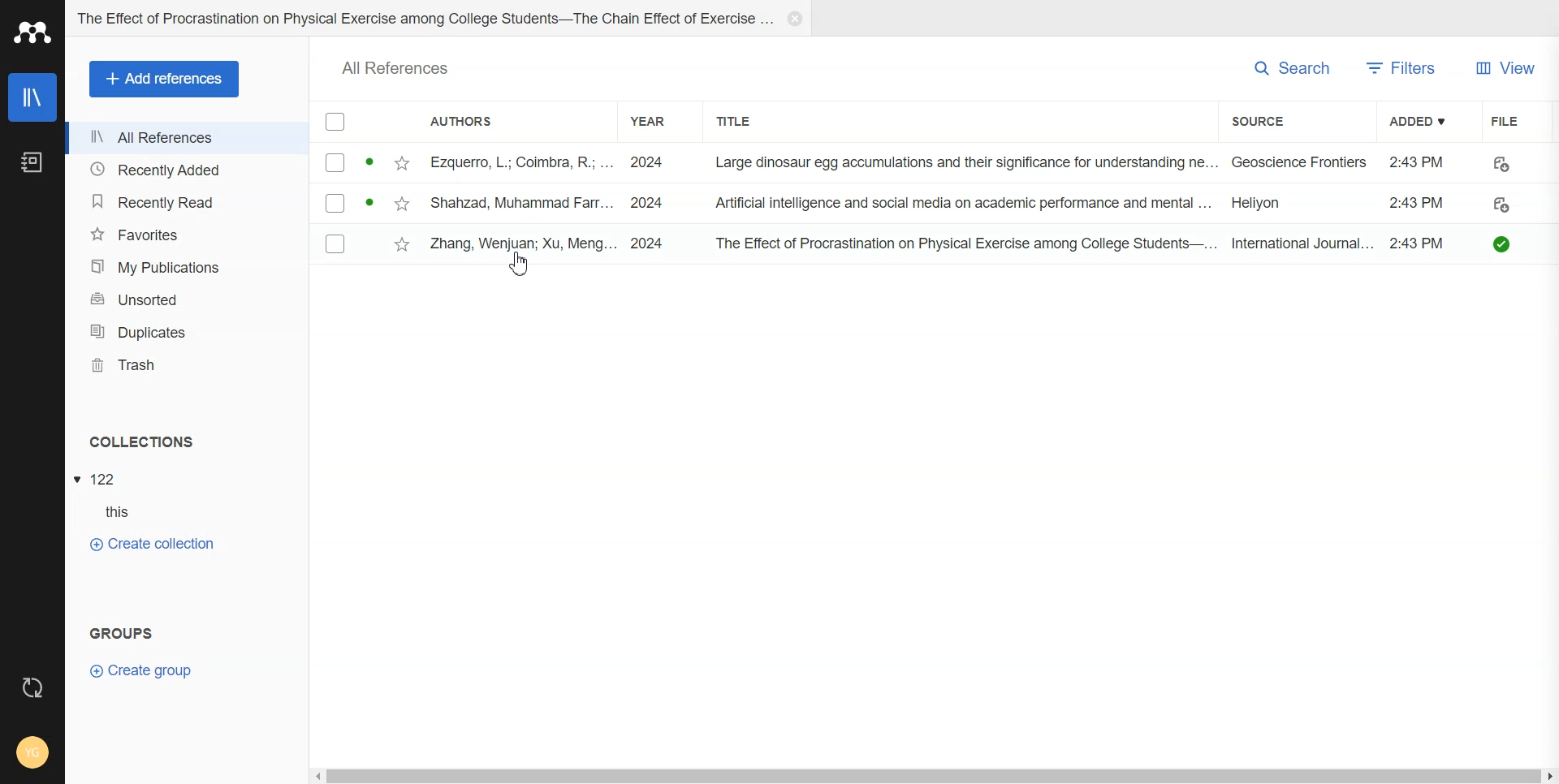 Image resolution: width=1559 pixels, height=784 pixels. I want to click on Artificial intelligence and social media on academic performance and mental ..., so click(959, 201).